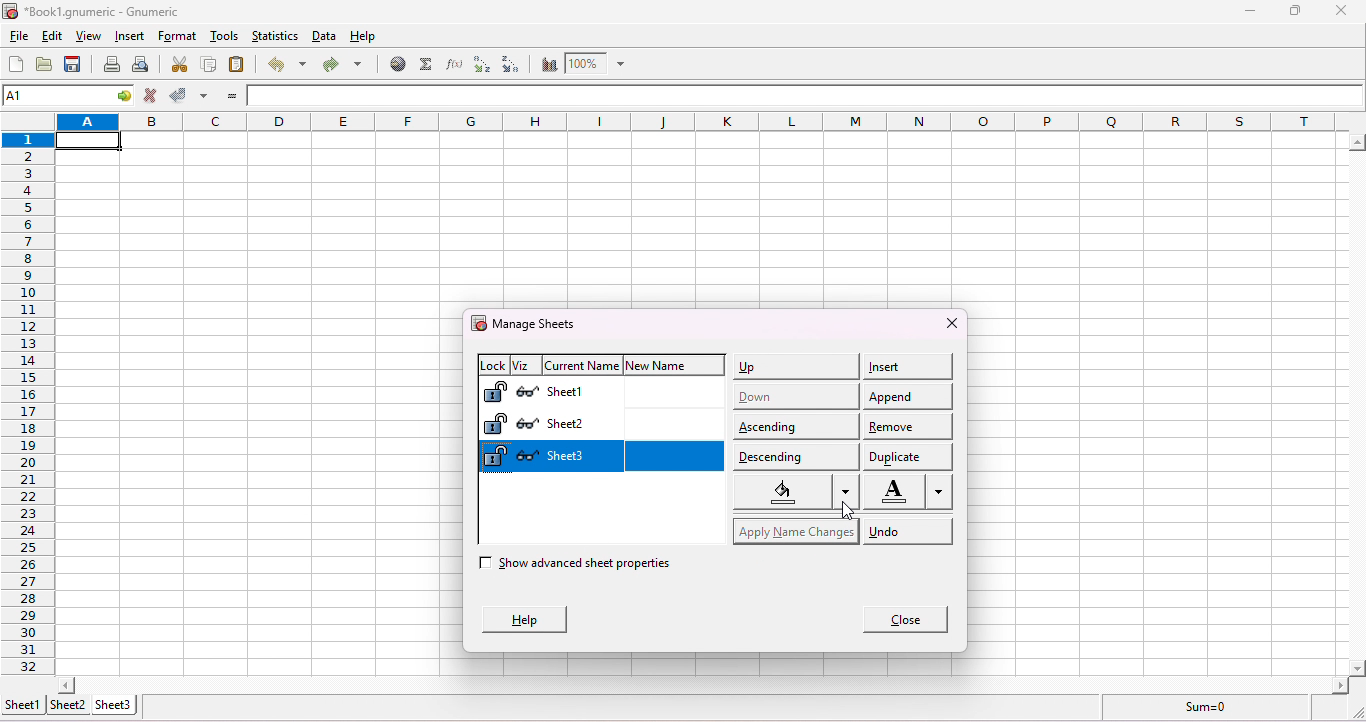 This screenshot has width=1366, height=722. What do you see at coordinates (513, 63) in the screenshot?
I see `sort descending order` at bounding box center [513, 63].